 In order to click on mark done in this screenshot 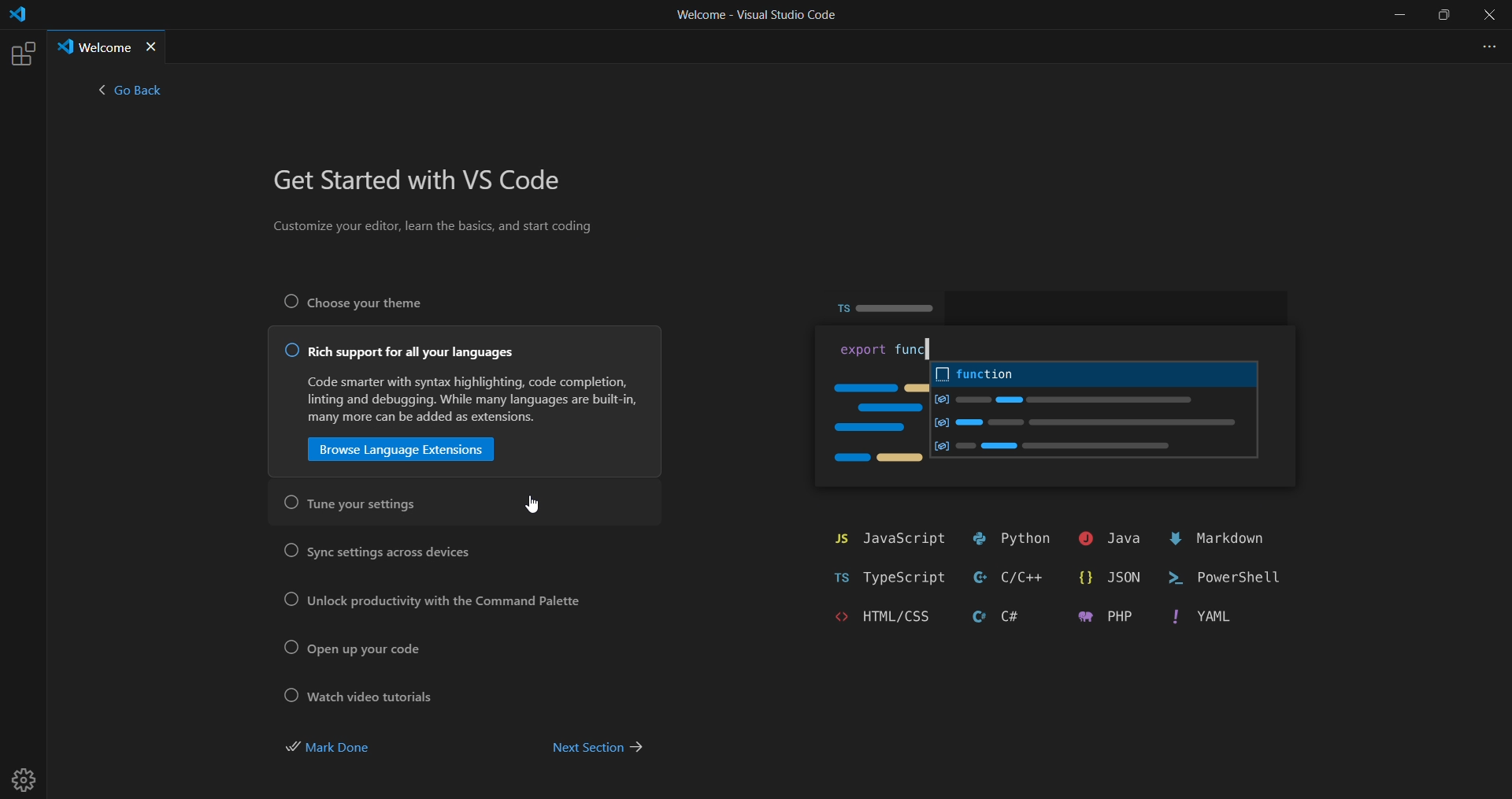, I will do `click(345, 749)`.